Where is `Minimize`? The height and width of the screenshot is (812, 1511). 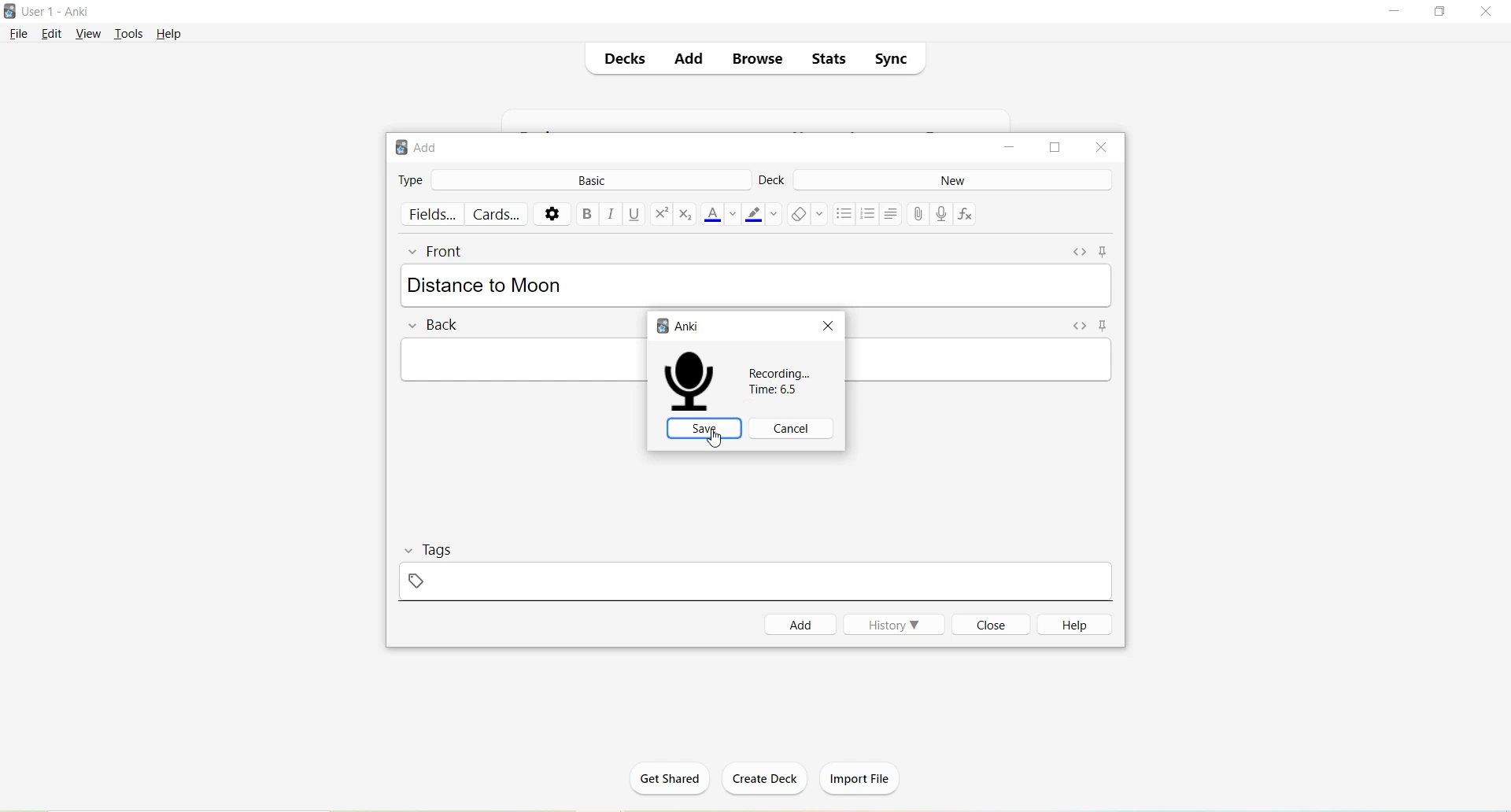
Minimize is located at coordinates (1397, 13).